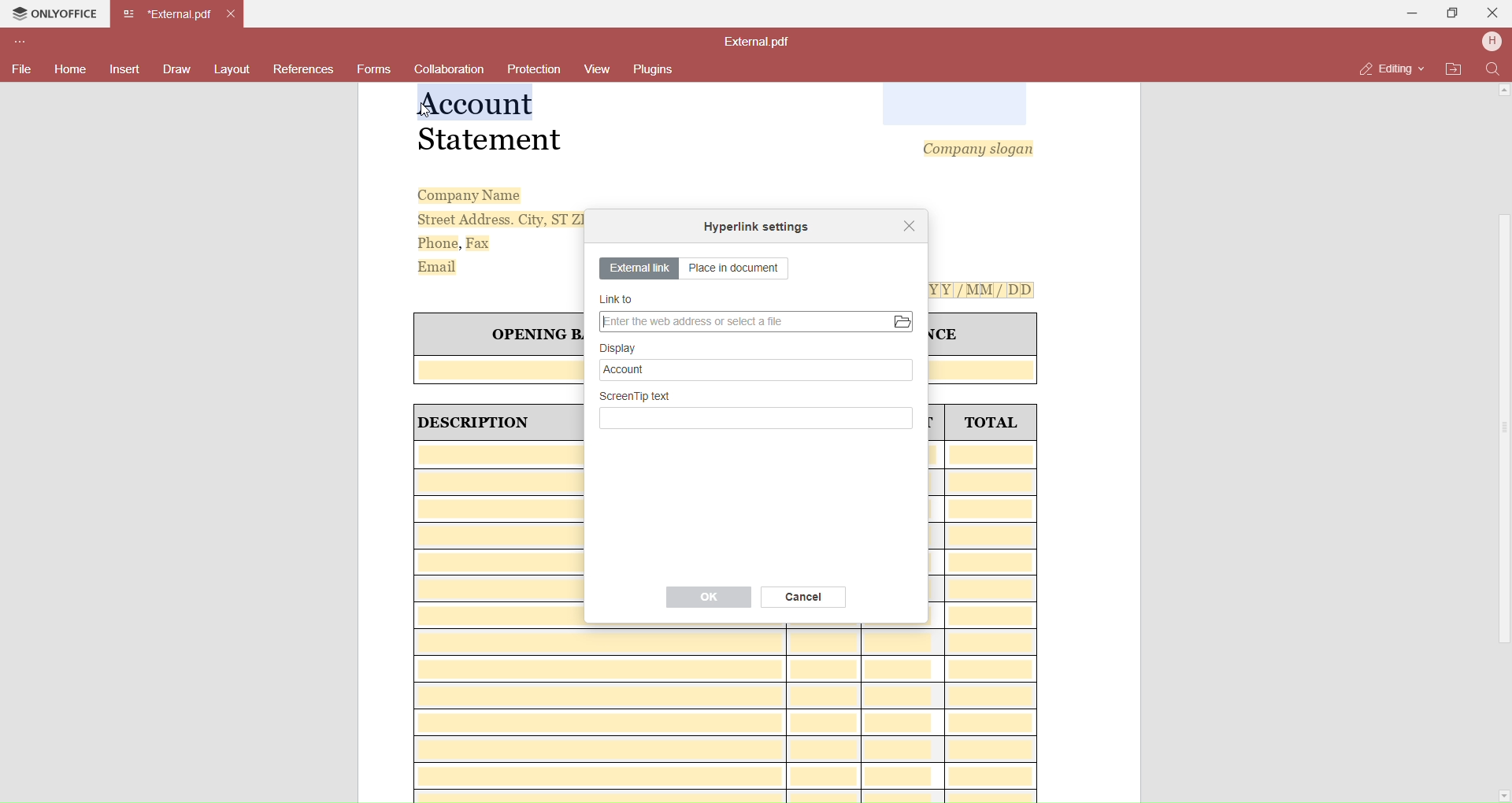 The width and height of the screenshot is (1512, 803). I want to click on Company Name, so click(470, 195).